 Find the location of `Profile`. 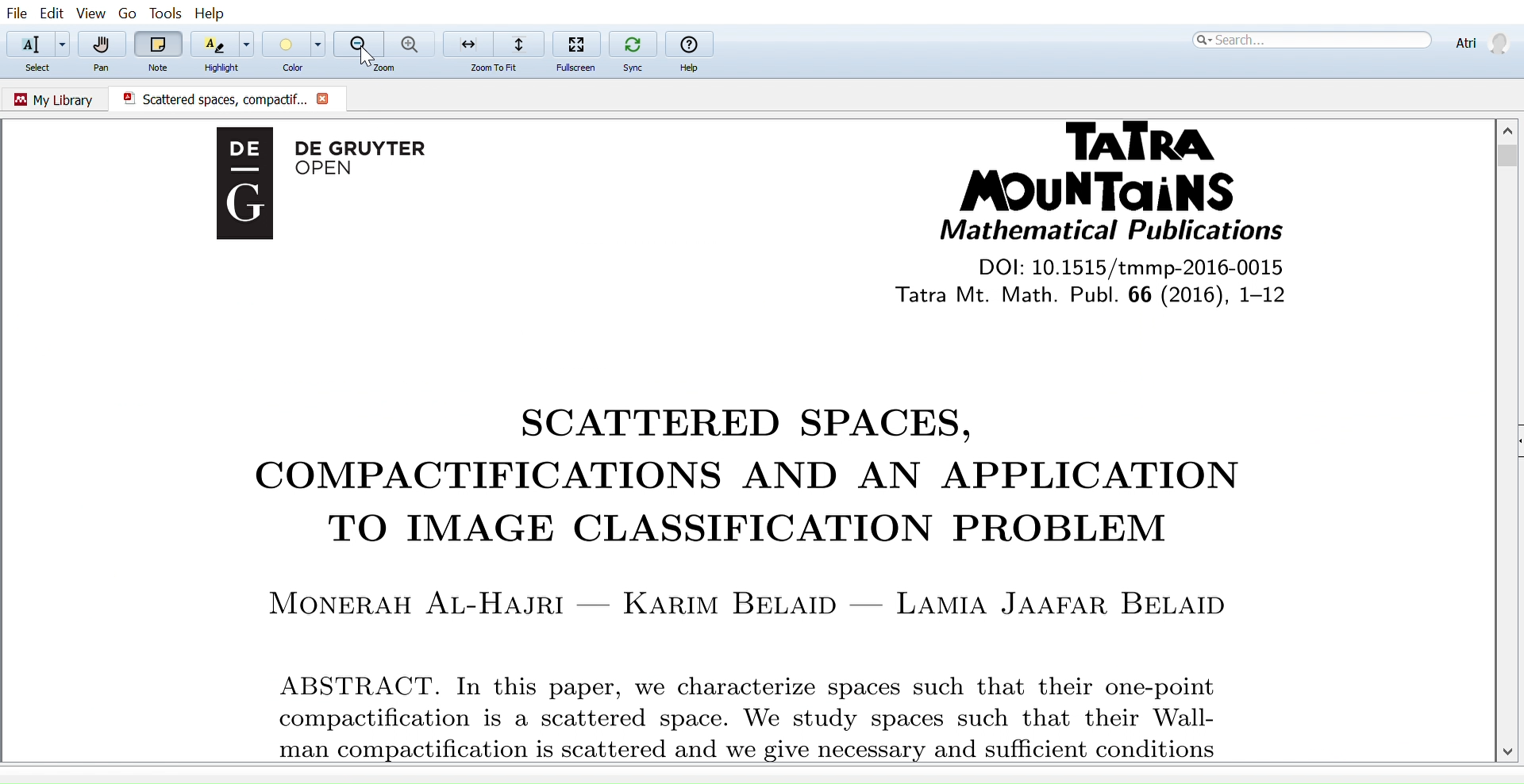

Profile is located at coordinates (1480, 41).